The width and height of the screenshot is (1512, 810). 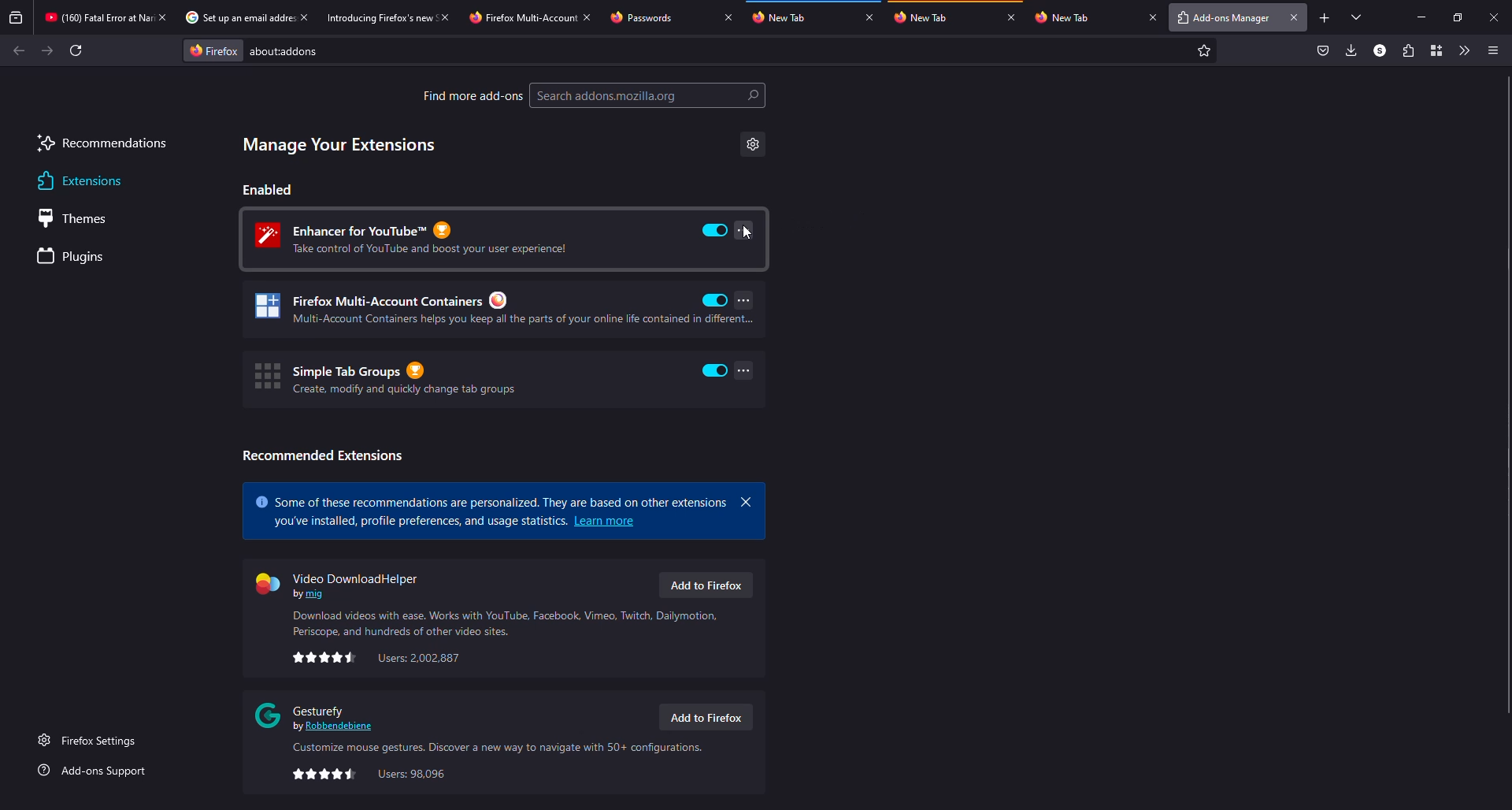 I want to click on more tools, so click(x=1462, y=50).